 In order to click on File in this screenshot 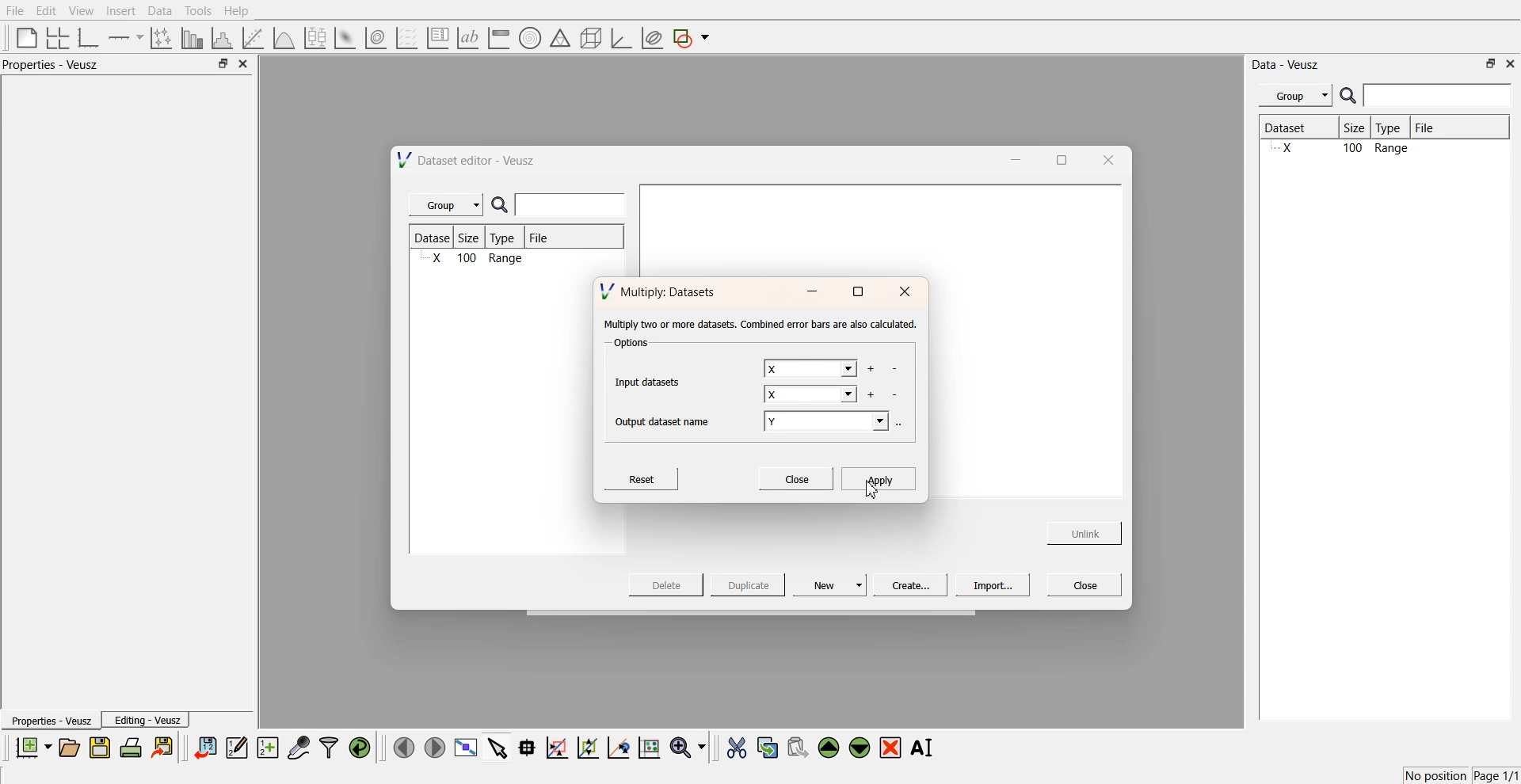, I will do `click(1439, 127)`.